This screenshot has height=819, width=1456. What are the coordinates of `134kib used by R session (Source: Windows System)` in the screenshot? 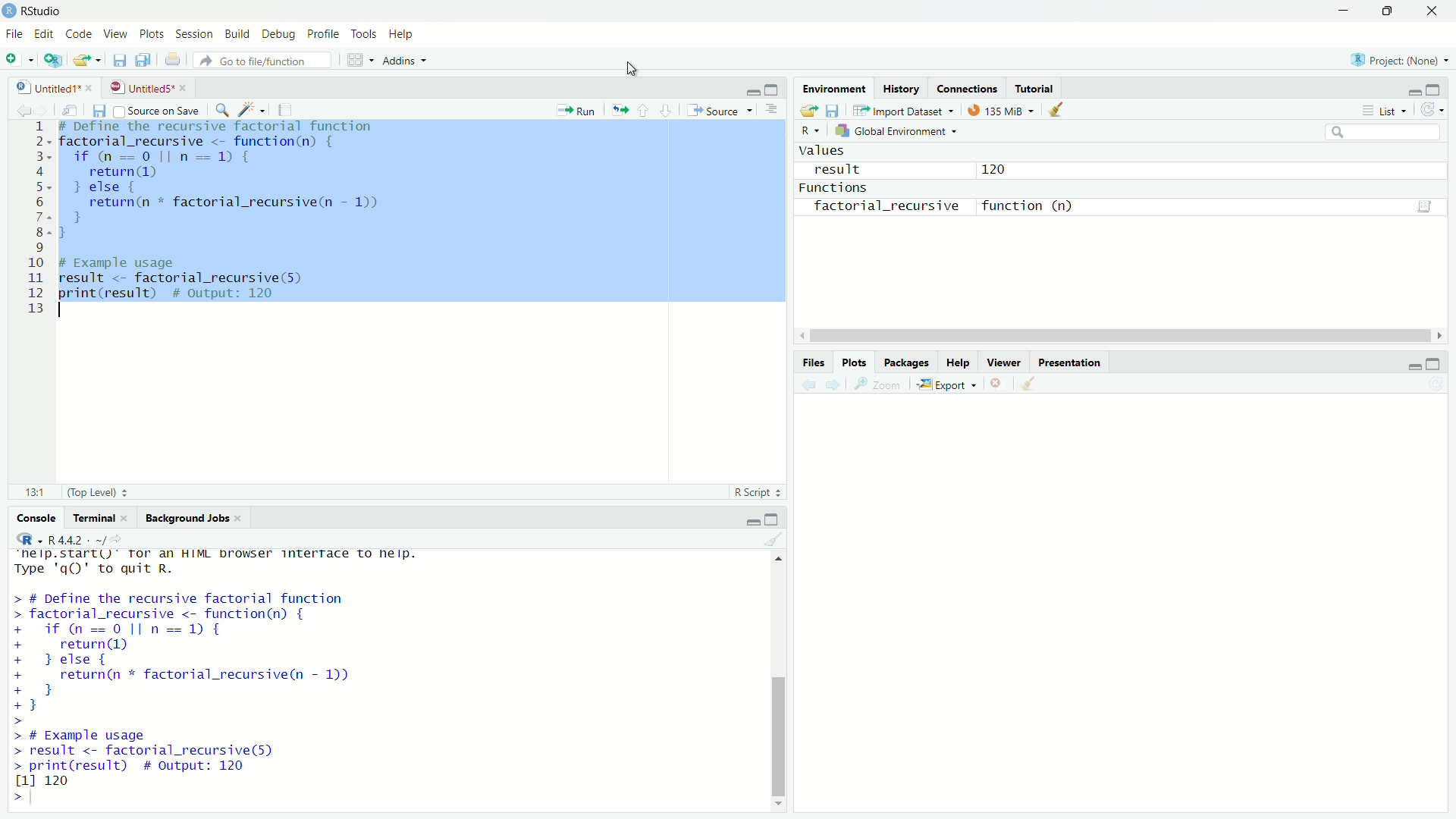 It's located at (1005, 108).